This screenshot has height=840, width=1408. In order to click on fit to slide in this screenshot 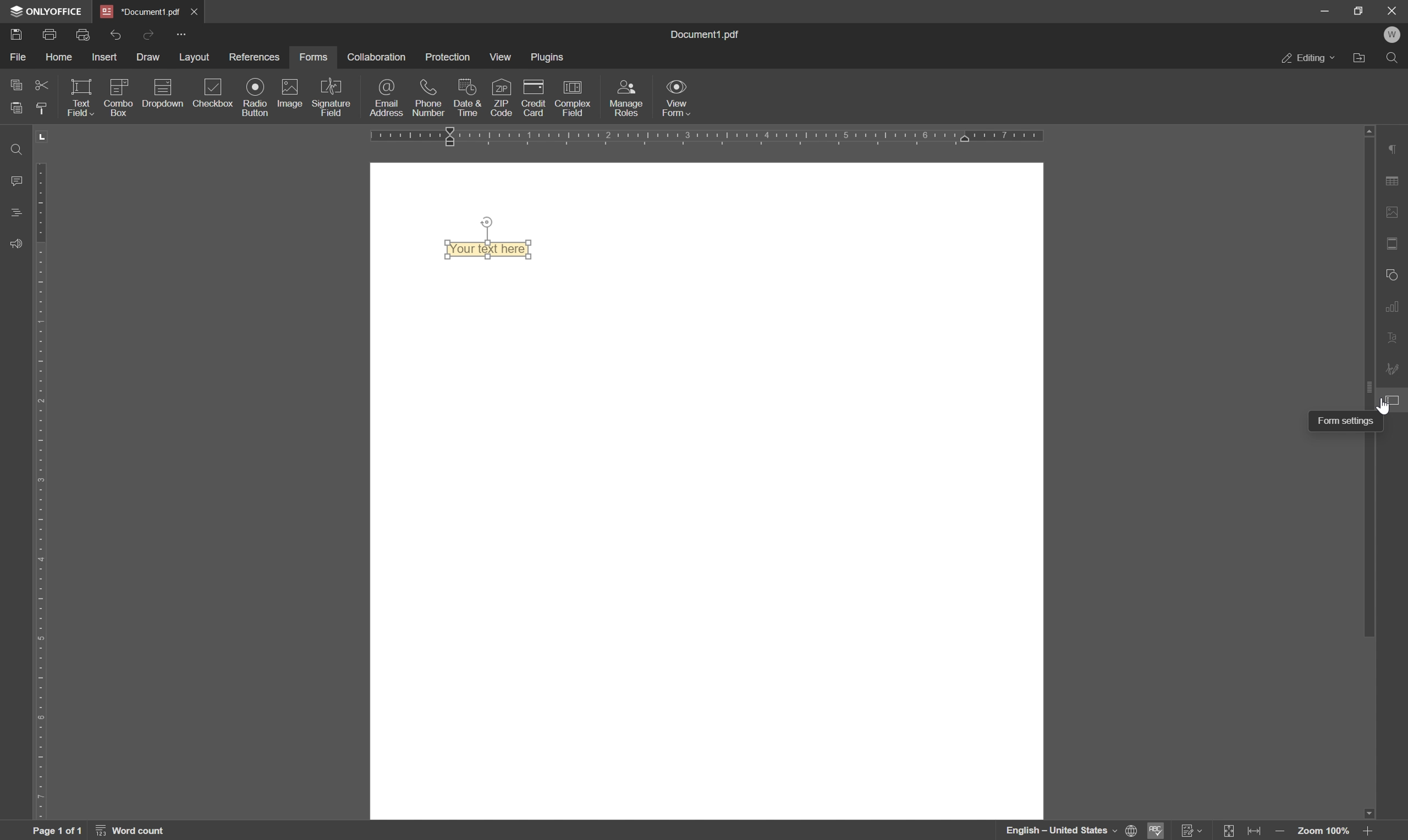, I will do `click(1230, 831)`.